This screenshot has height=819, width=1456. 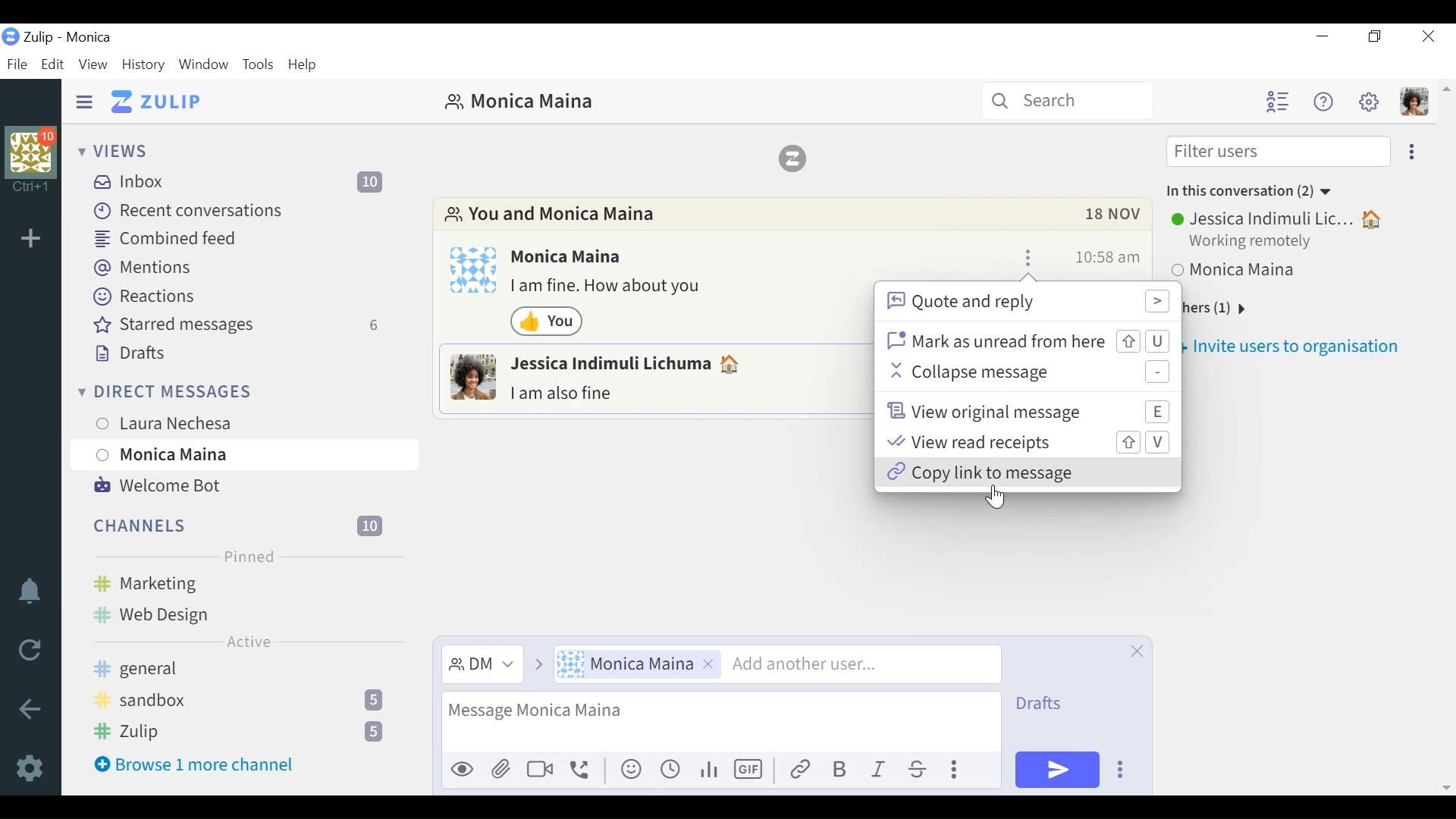 What do you see at coordinates (673, 769) in the screenshot?
I see `recents` at bounding box center [673, 769].